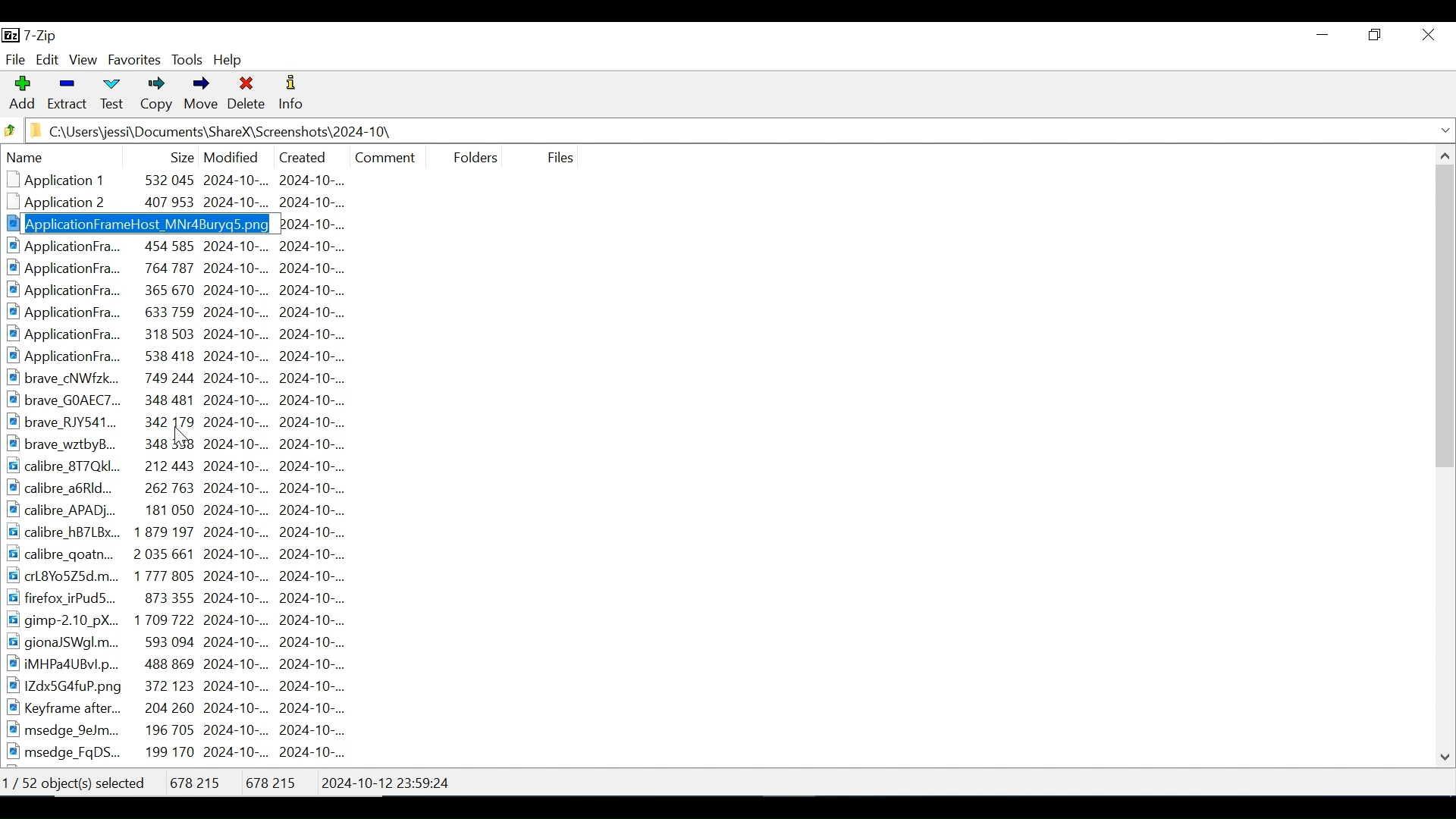 This screenshot has height=819, width=1456. What do you see at coordinates (186, 290) in the screenshot?
I see `ApplicationFra.. 365 670 2024-10-.. 2024-10-...` at bounding box center [186, 290].